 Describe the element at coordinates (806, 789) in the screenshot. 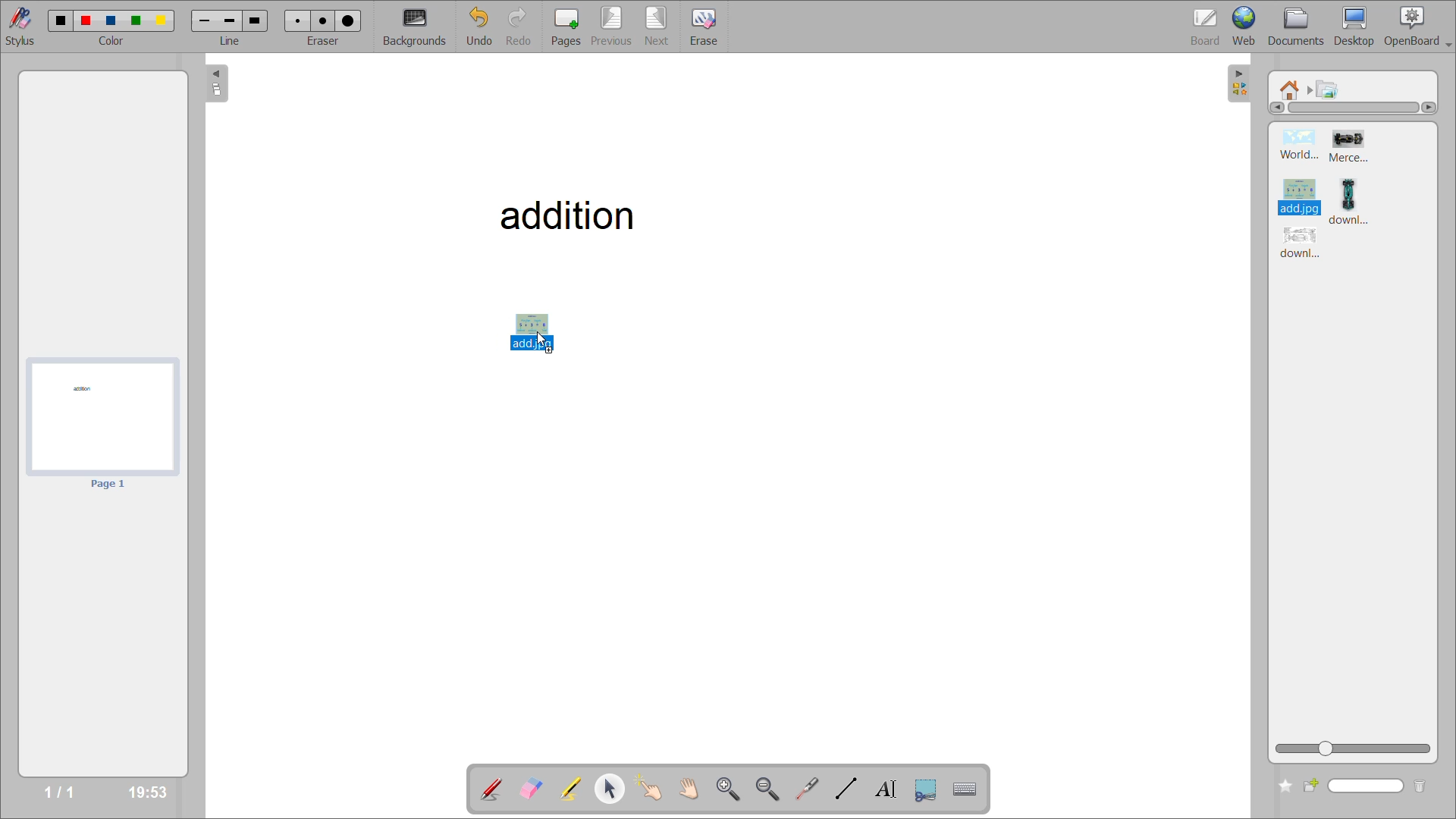

I see `virtual laser pointer` at that location.